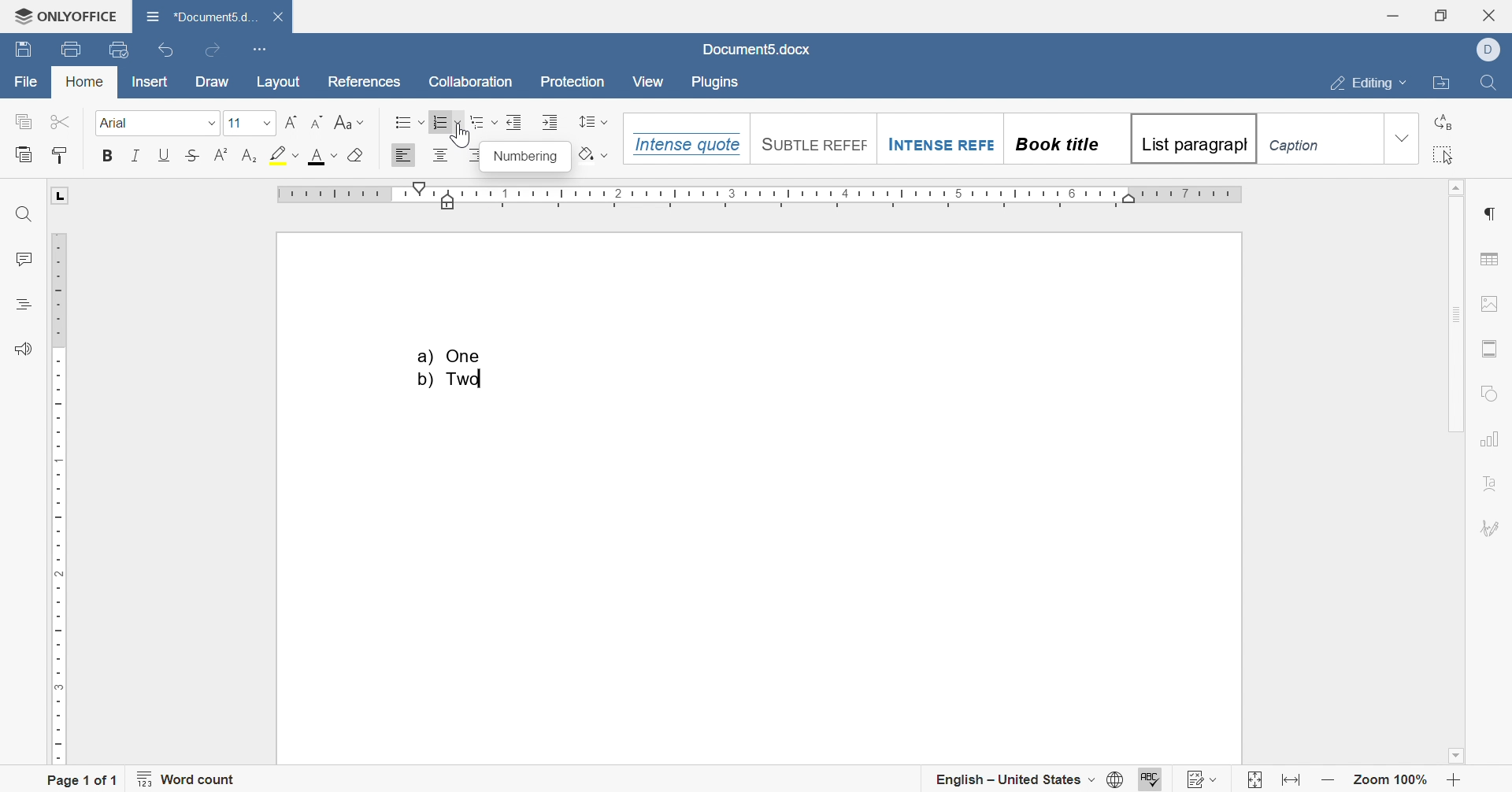 The width and height of the screenshot is (1512, 792). I want to click on open file location, so click(1441, 84).